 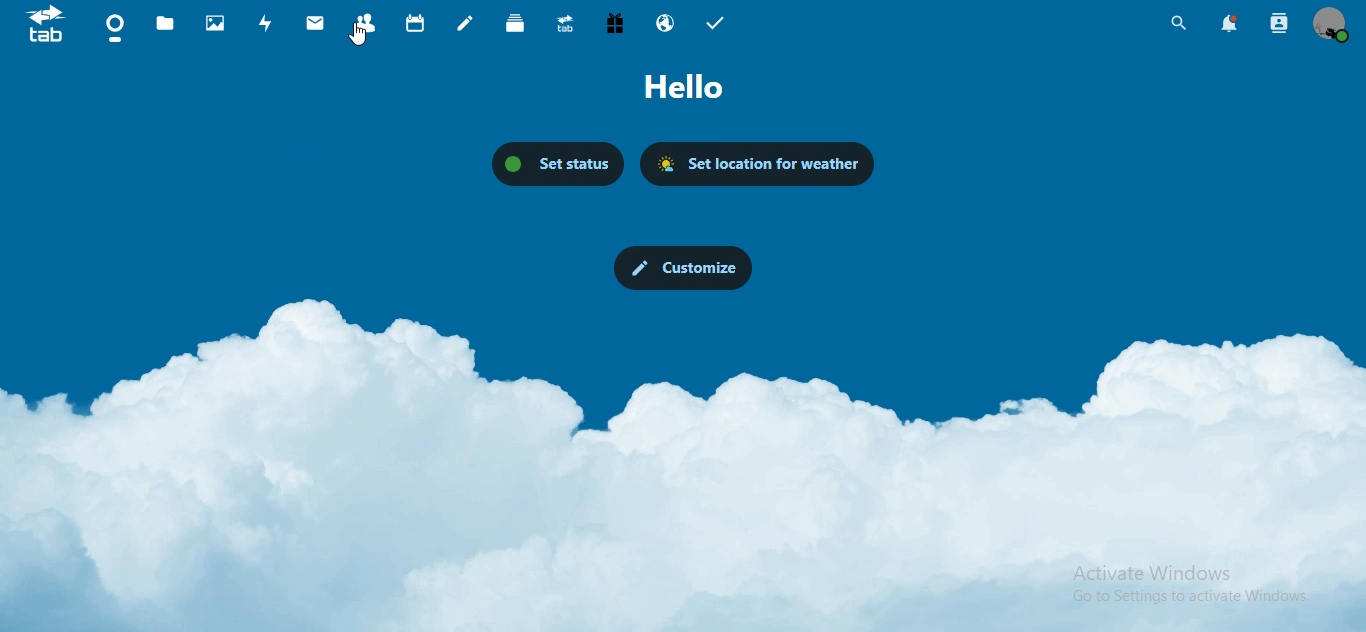 I want to click on deck, so click(x=517, y=23).